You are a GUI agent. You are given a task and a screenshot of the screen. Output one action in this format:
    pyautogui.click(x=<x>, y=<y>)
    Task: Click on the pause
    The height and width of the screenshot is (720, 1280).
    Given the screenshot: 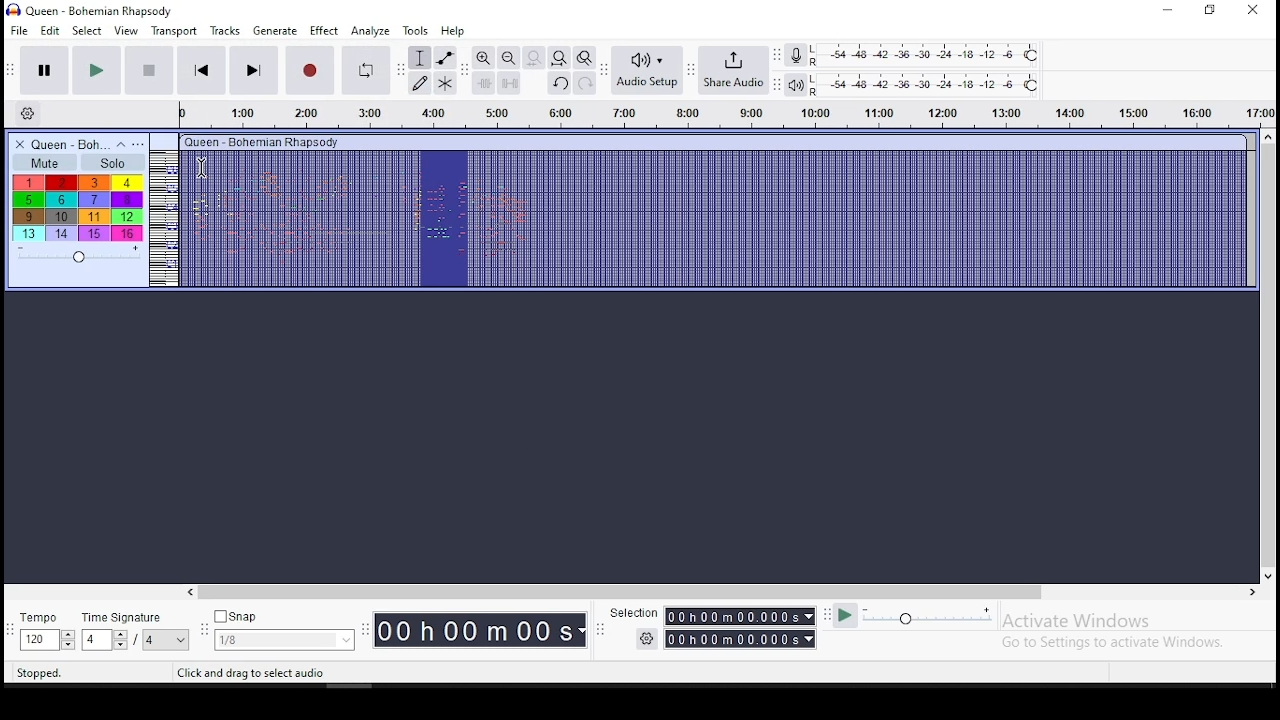 What is the action you would take?
    pyautogui.click(x=40, y=69)
    